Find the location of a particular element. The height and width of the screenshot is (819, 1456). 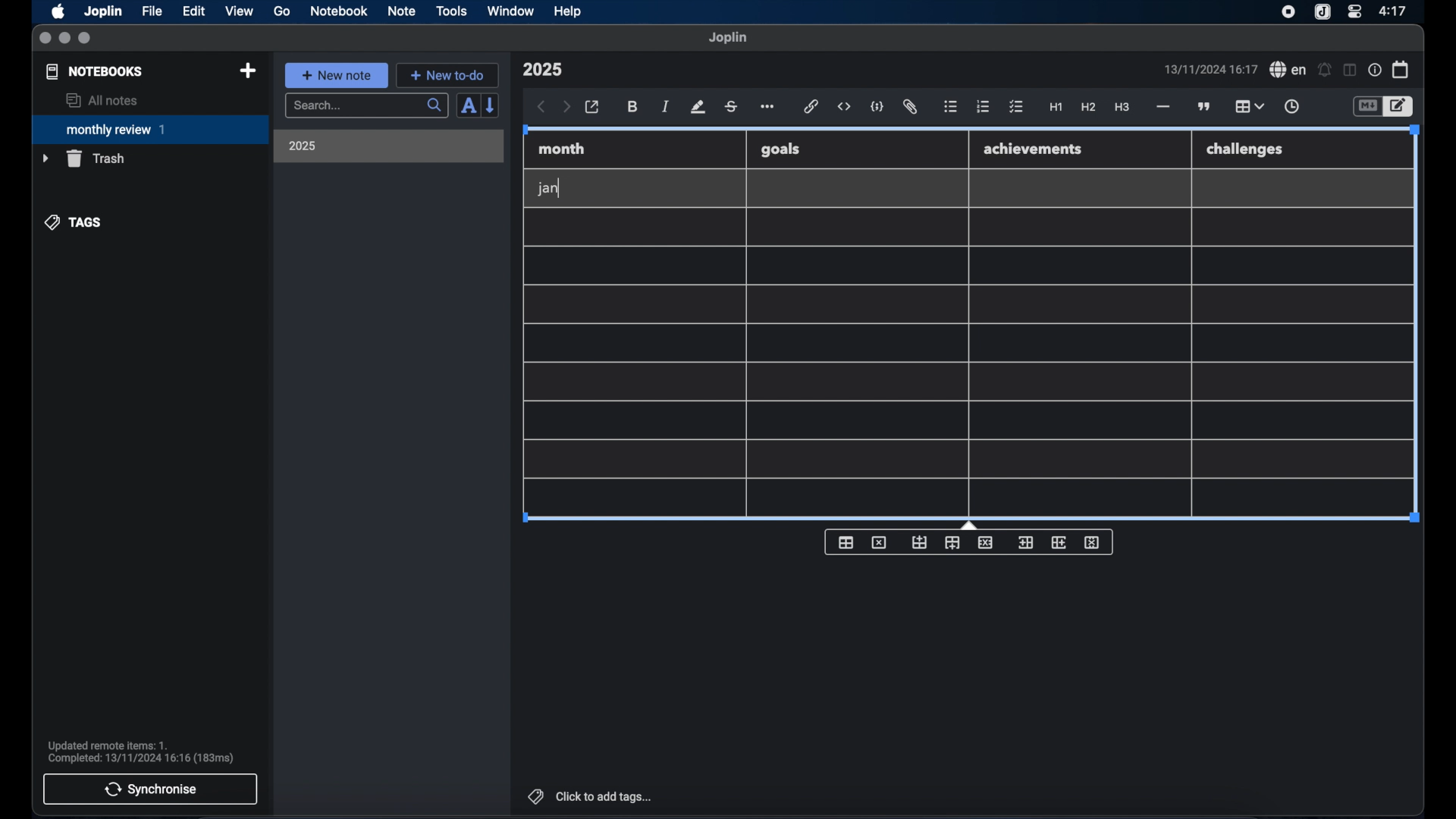

toggle editor is located at coordinates (1401, 107).